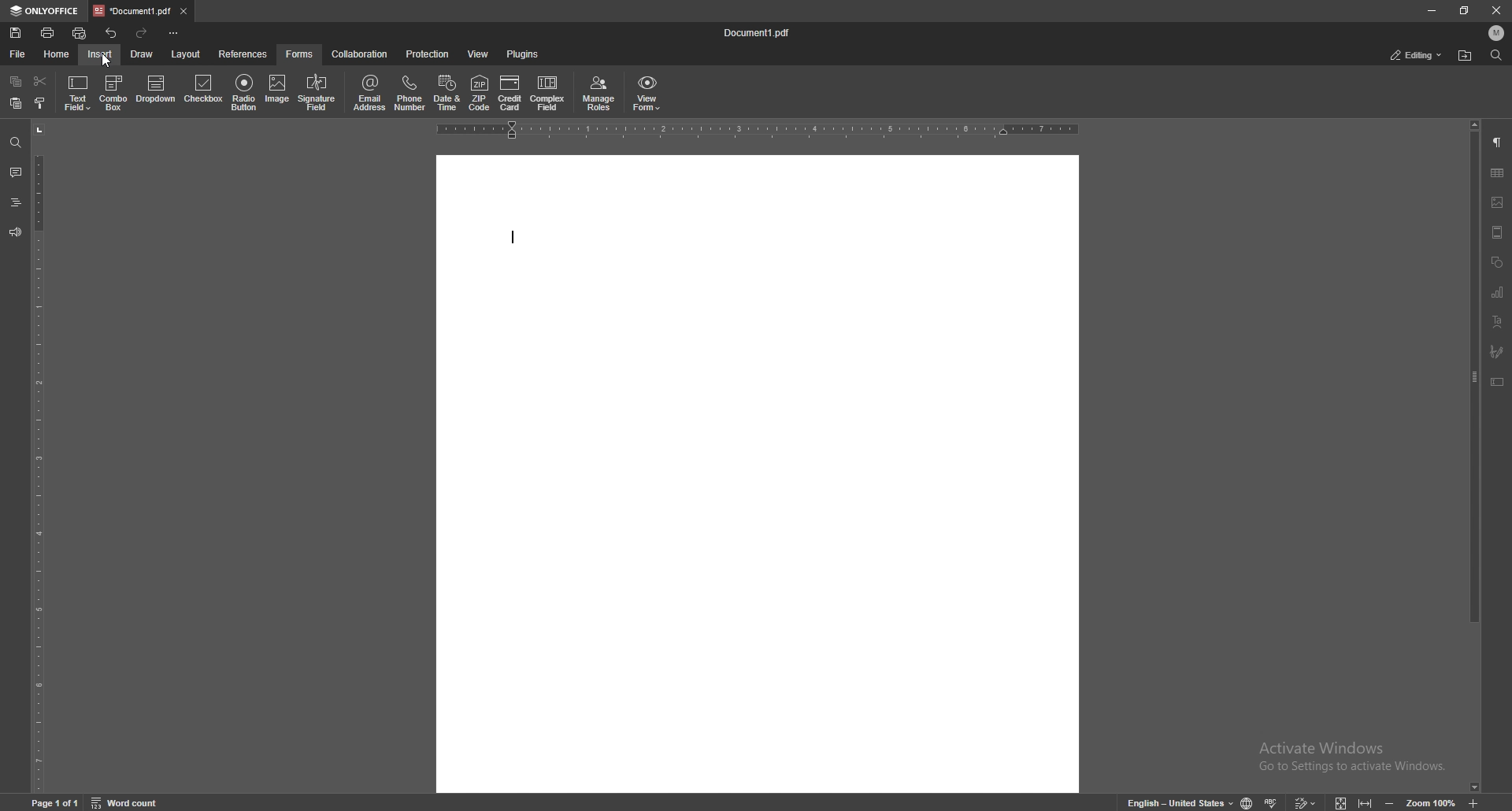  Describe the element at coordinates (1498, 261) in the screenshot. I see `shapes` at that location.